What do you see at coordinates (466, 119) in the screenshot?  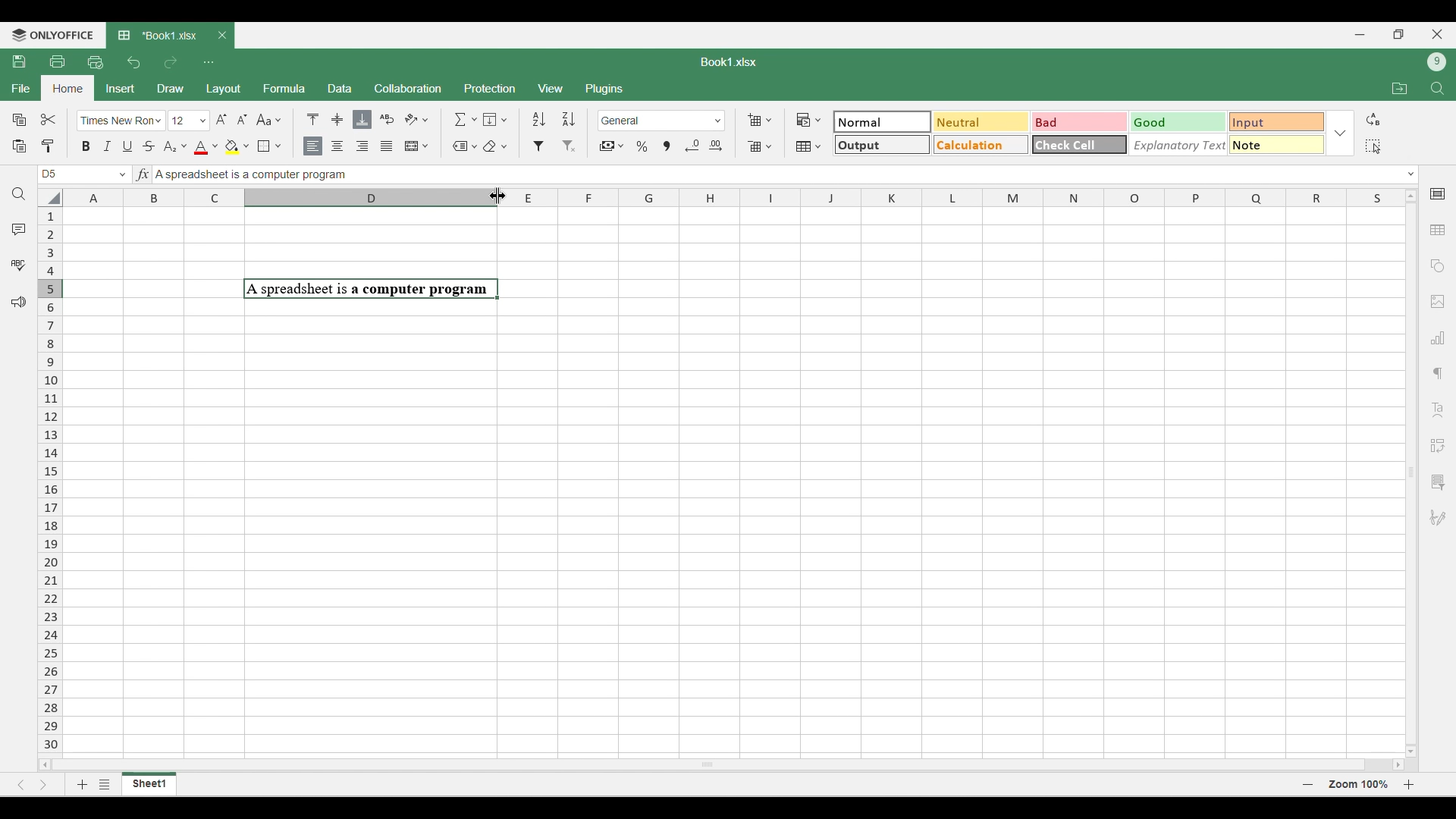 I see `Summation options` at bounding box center [466, 119].